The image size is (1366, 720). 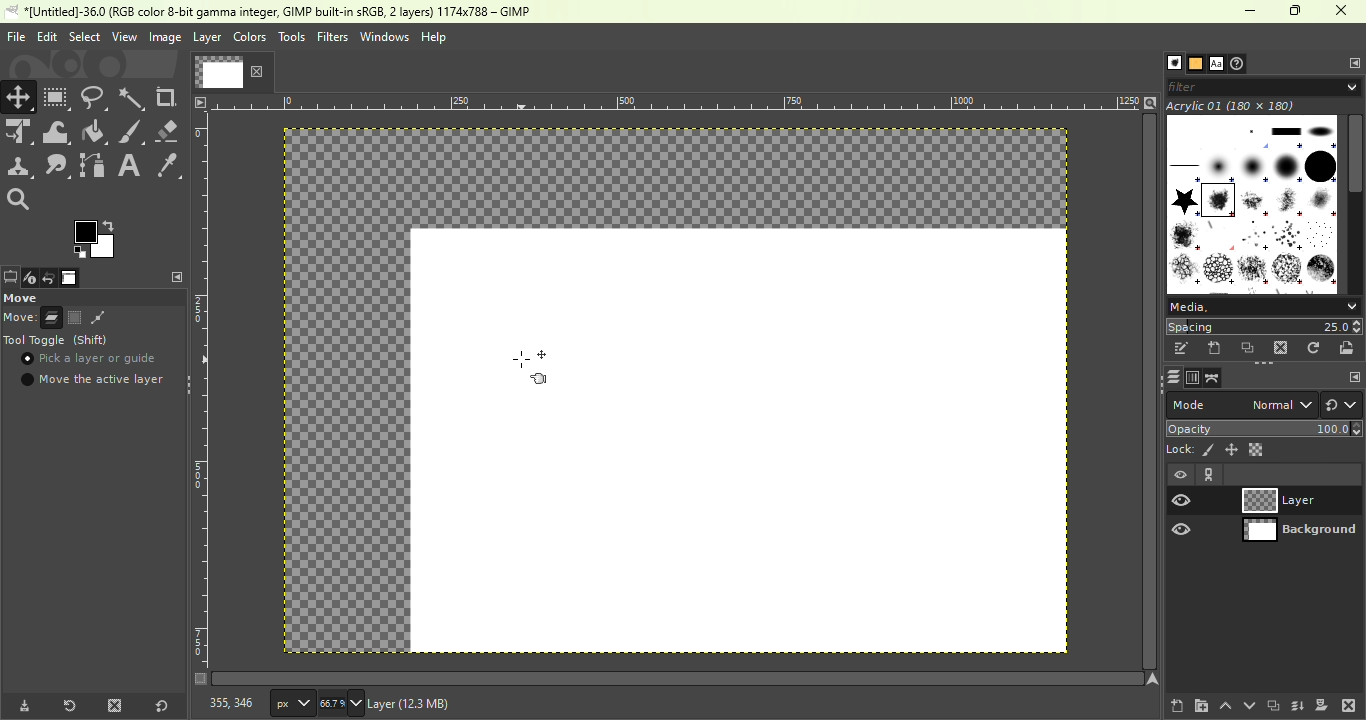 I want to click on Subtract from the current selection, so click(x=98, y=318).